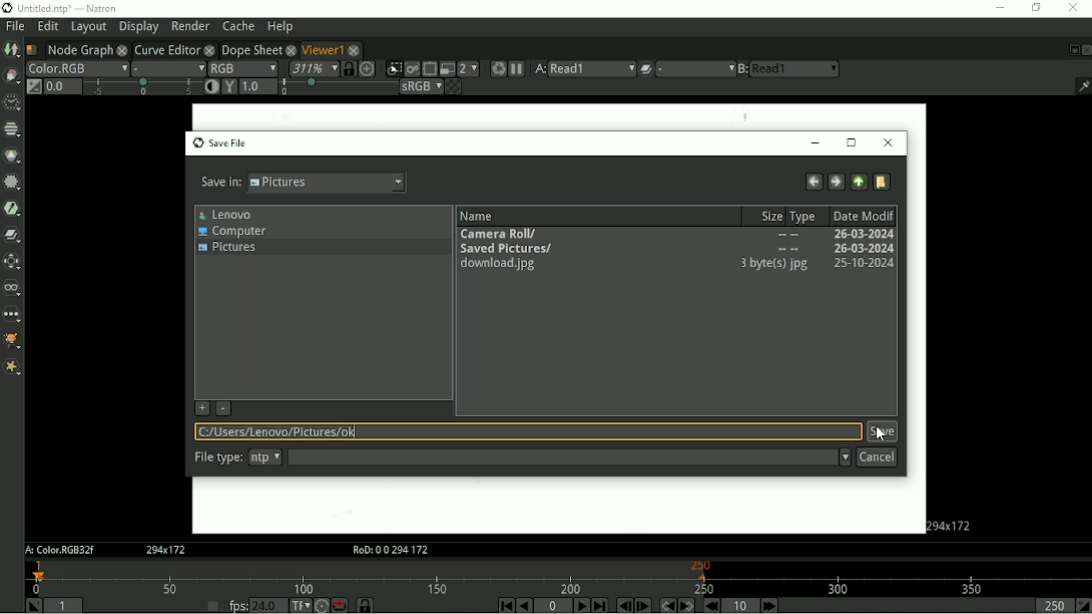 The width and height of the screenshot is (1092, 614). I want to click on Restore down, so click(1037, 9).